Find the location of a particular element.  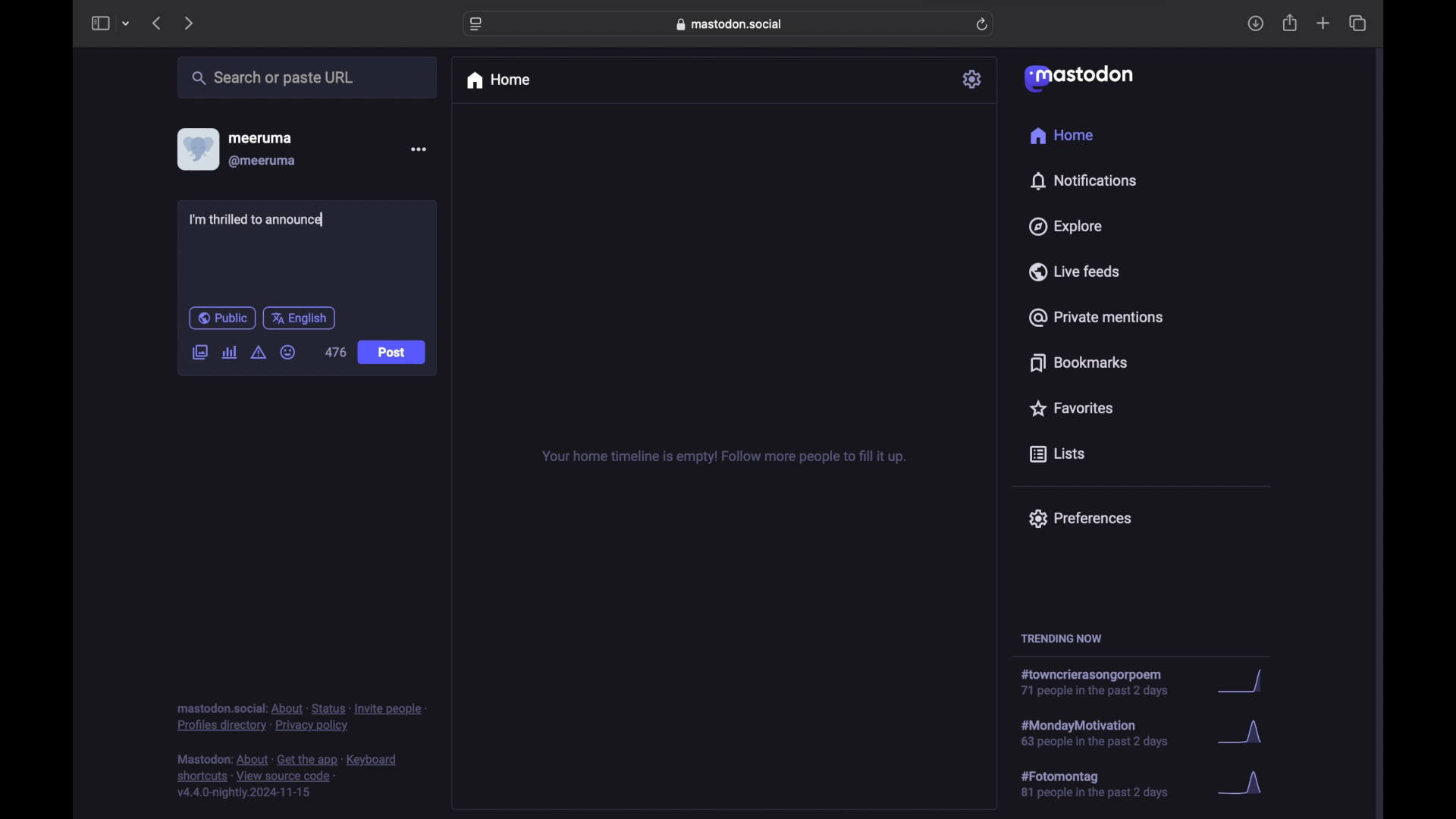

476 is located at coordinates (335, 352).